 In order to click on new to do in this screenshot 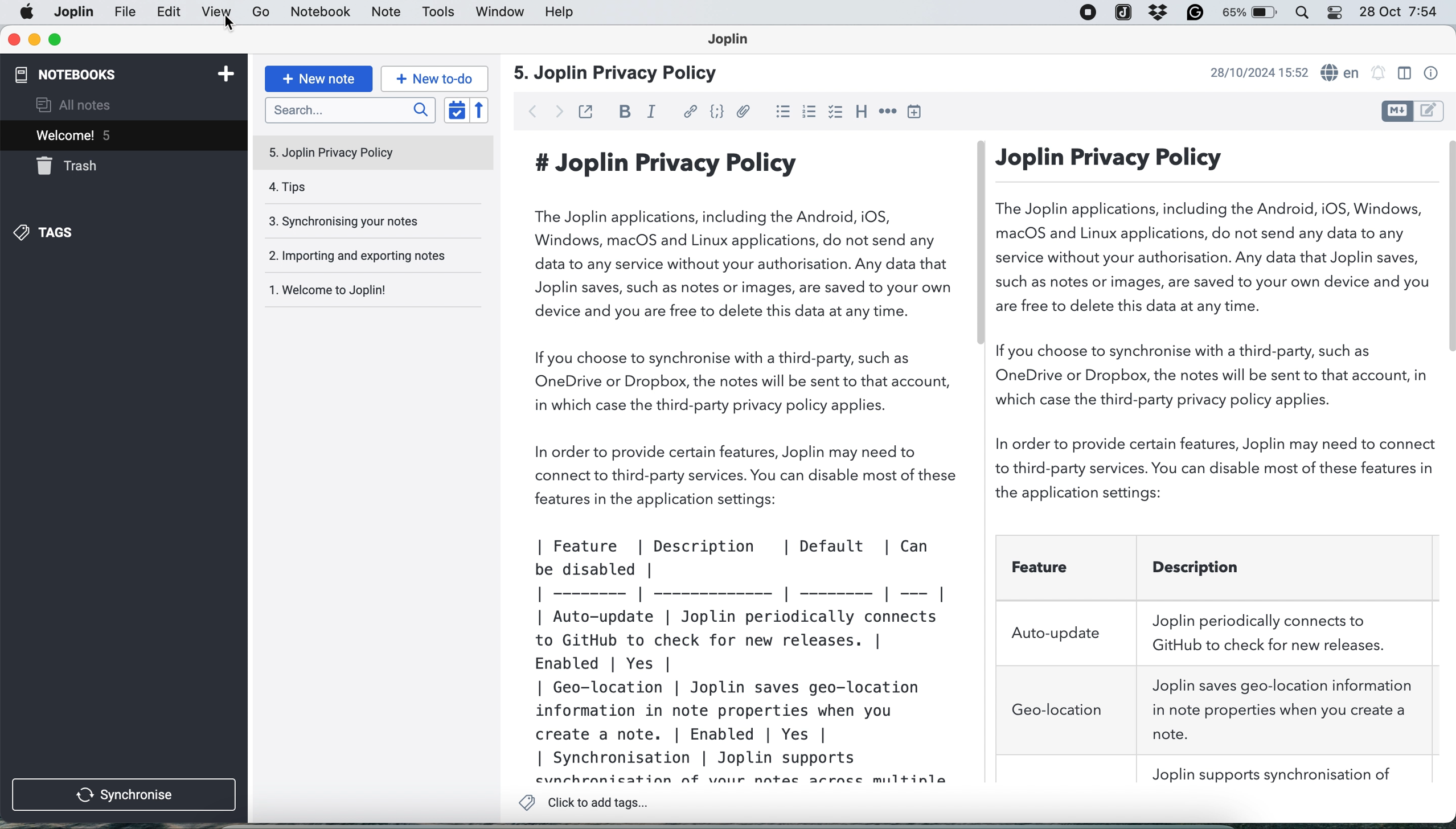, I will do `click(432, 79)`.